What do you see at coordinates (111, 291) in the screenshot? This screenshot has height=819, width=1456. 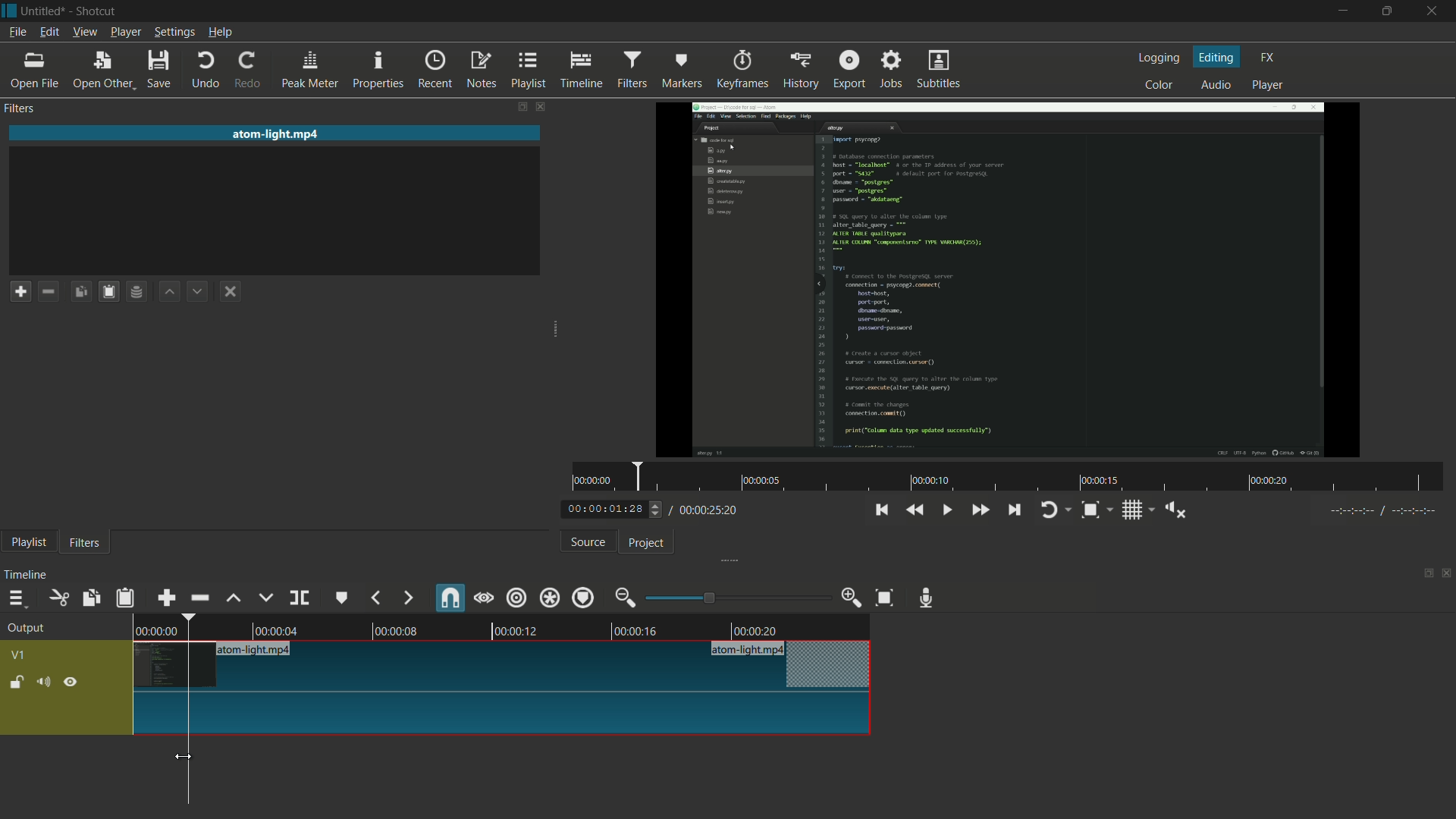 I see `paste filters` at bounding box center [111, 291].